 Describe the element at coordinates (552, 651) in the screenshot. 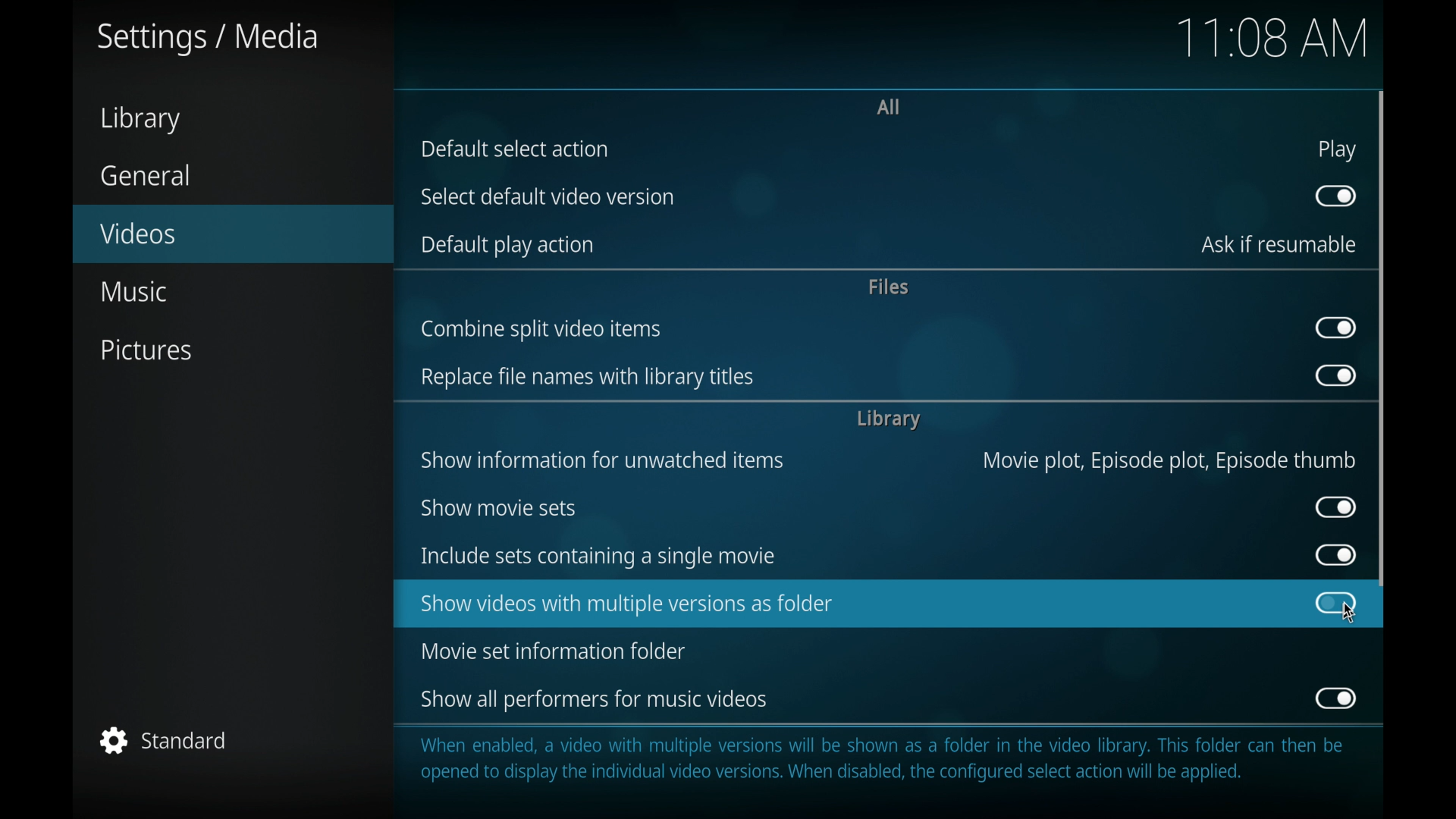

I see `movie set information folder` at that location.